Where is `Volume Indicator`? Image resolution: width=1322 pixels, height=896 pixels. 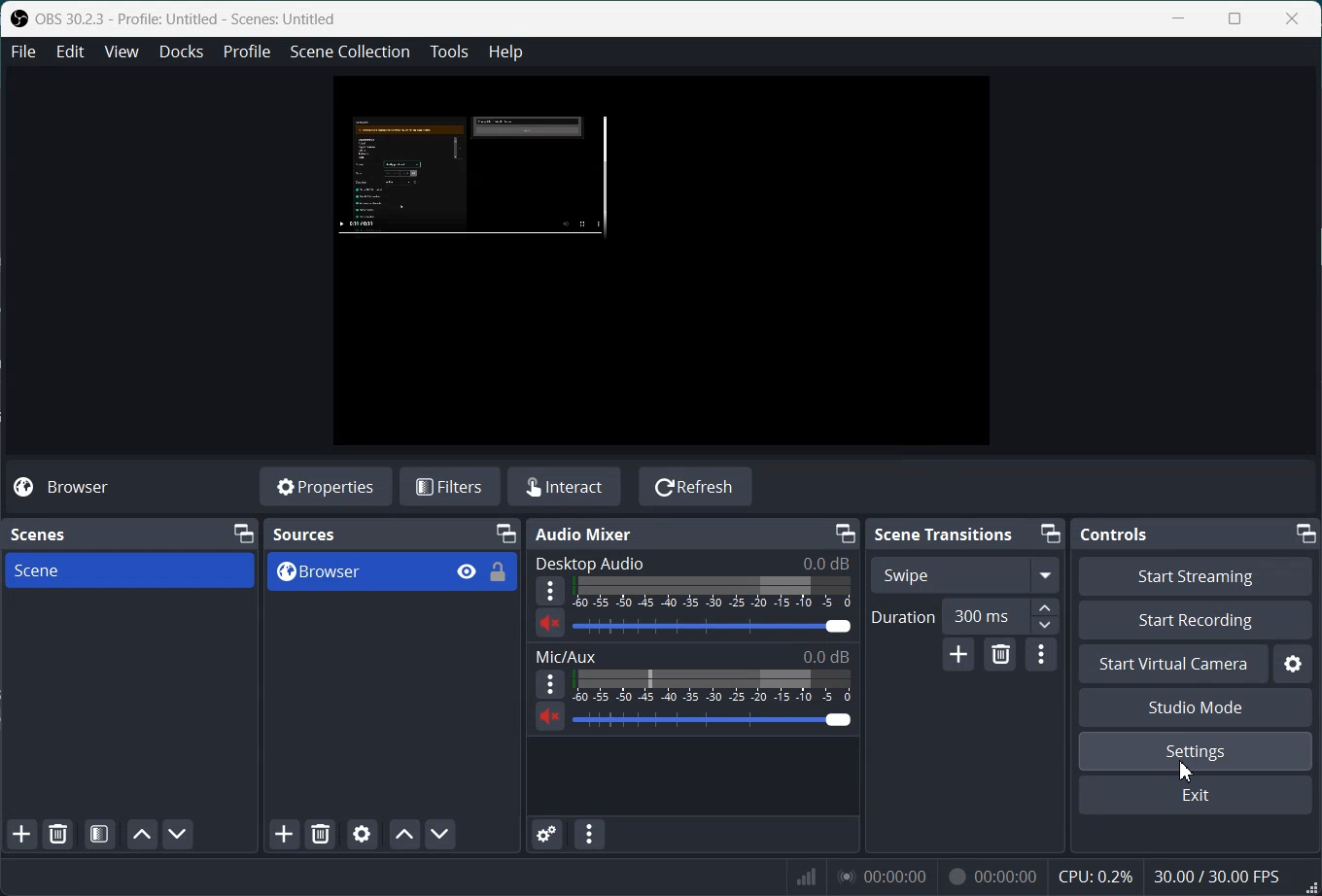
Volume Indicator is located at coordinates (714, 686).